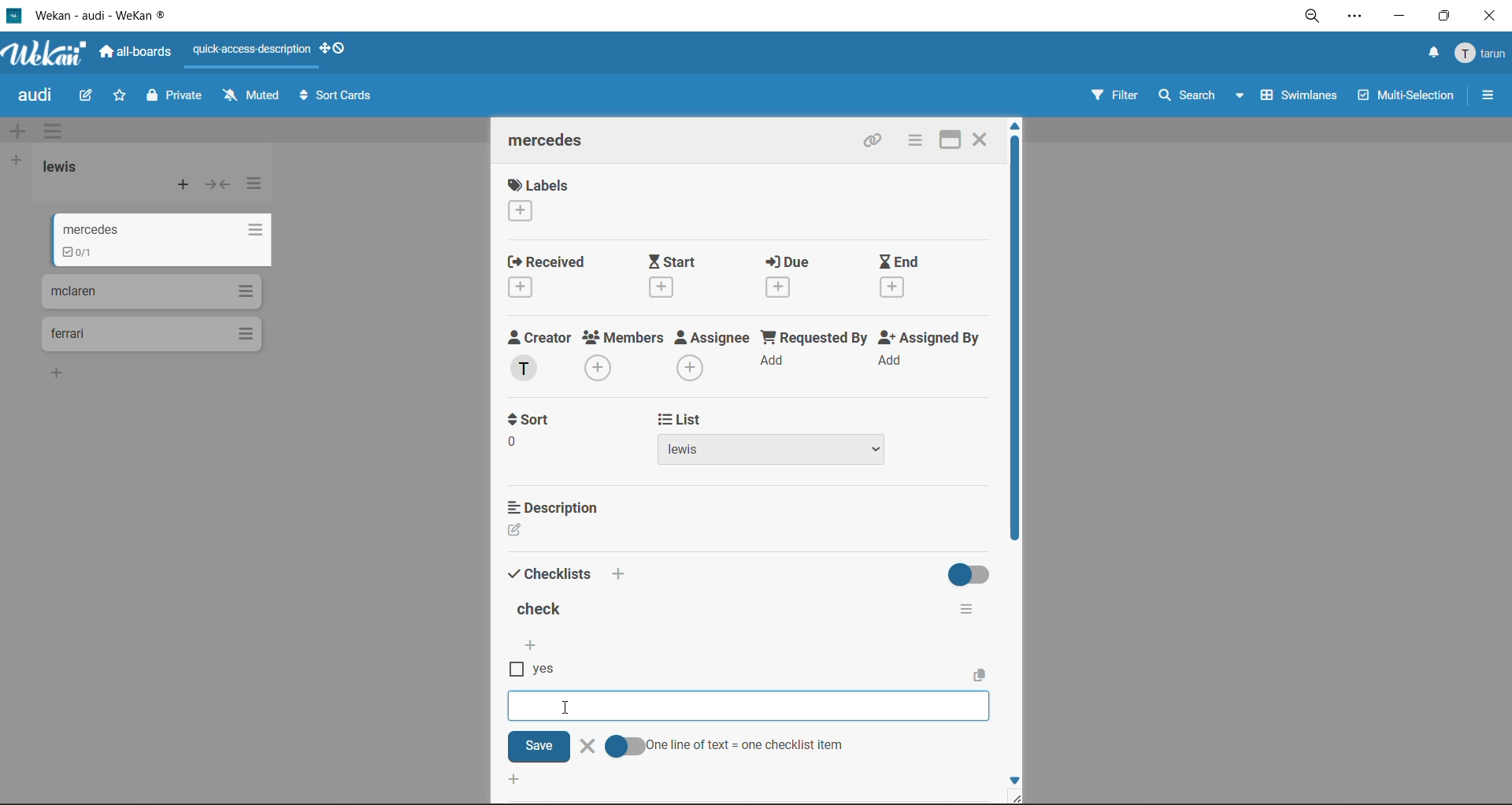 The height and width of the screenshot is (805, 1512). Describe the element at coordinates (1014, 350) in the screenshot. I see `vertical scroll bar` at that location.